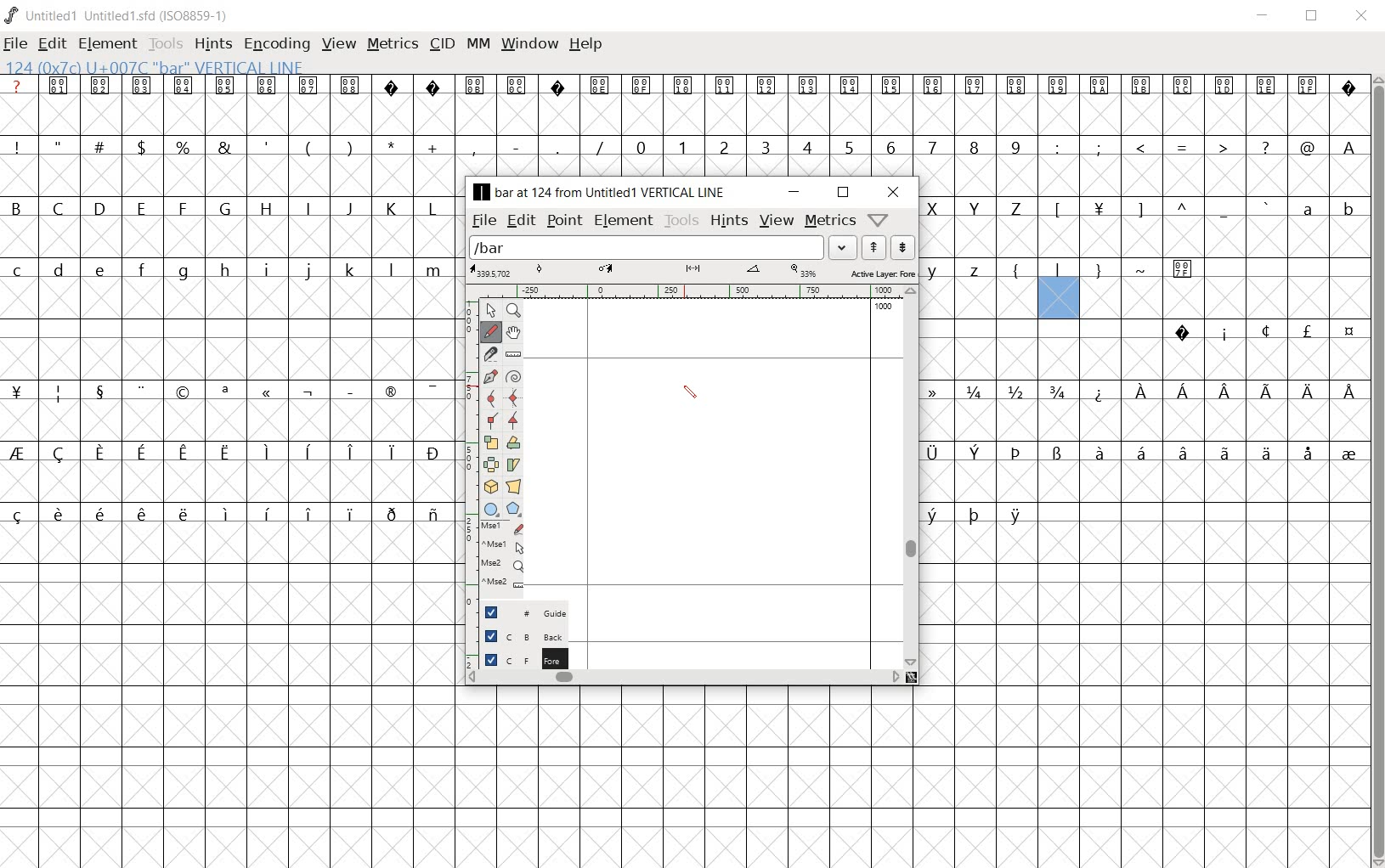  Describe the element at coordinates (1144, 236) in the screenshot. I see `empty cells` at that location.